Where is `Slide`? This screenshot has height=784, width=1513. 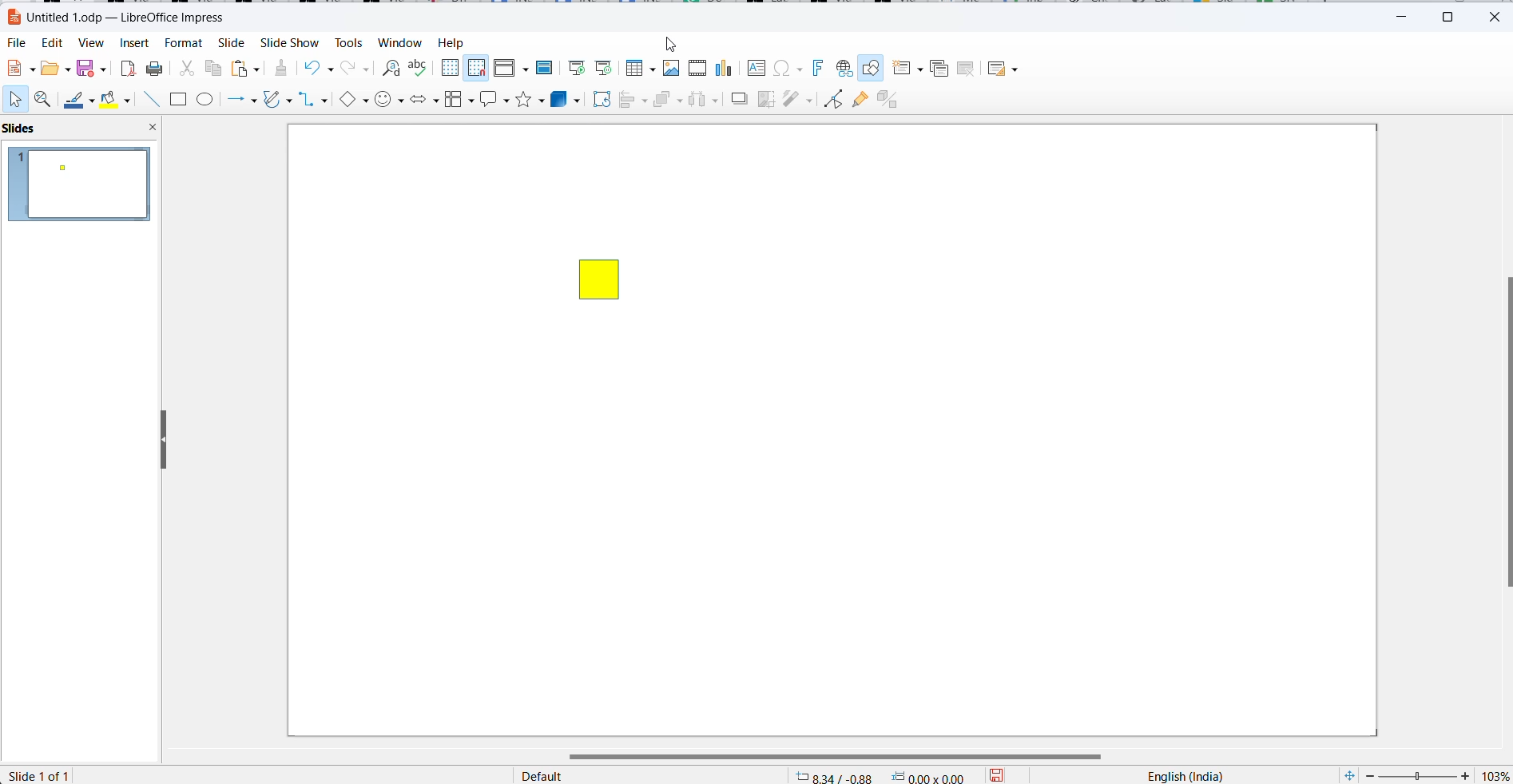
Slide is located at coordinates (230, 44).